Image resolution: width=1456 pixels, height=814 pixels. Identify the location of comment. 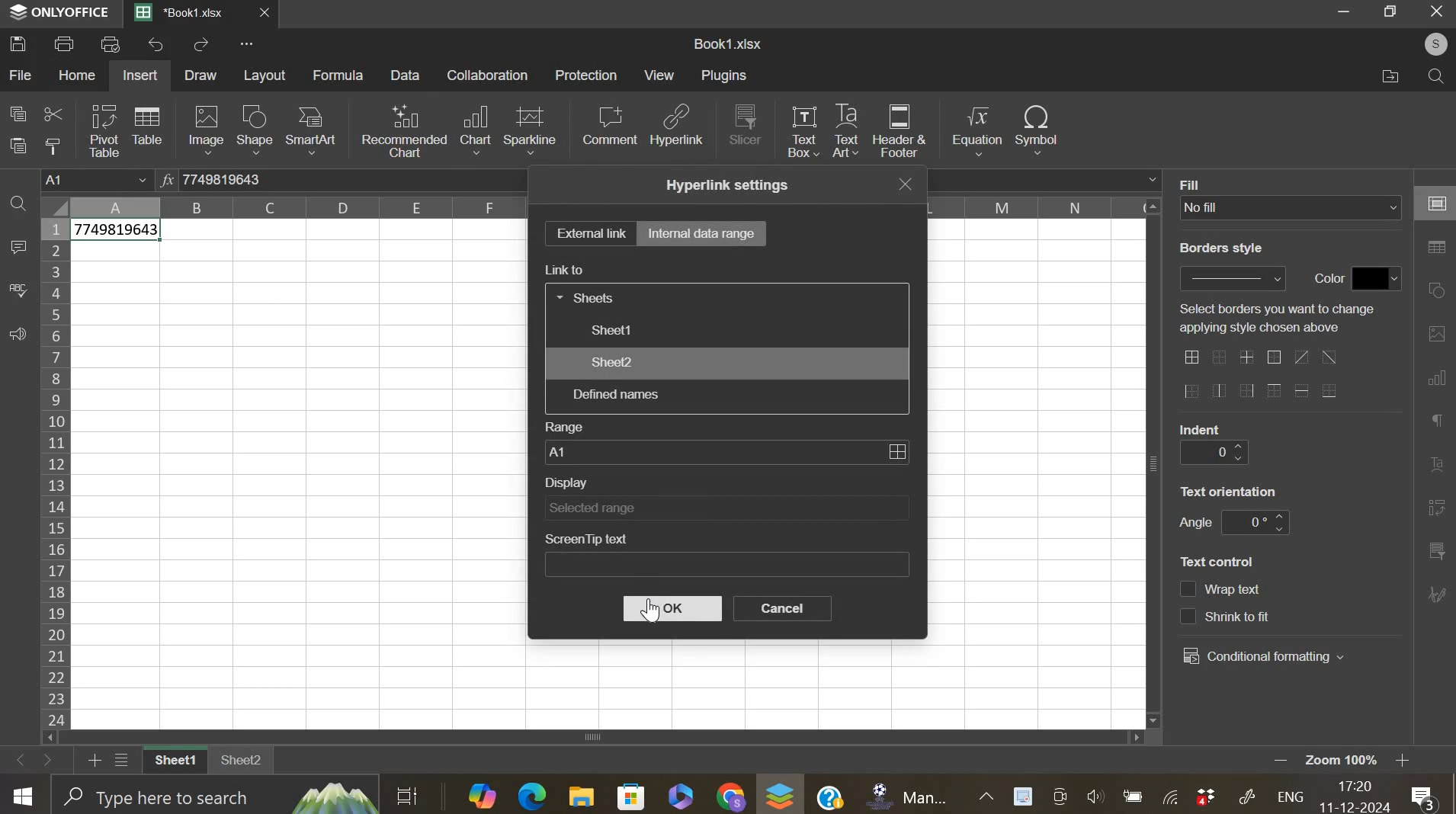
(609, 125).